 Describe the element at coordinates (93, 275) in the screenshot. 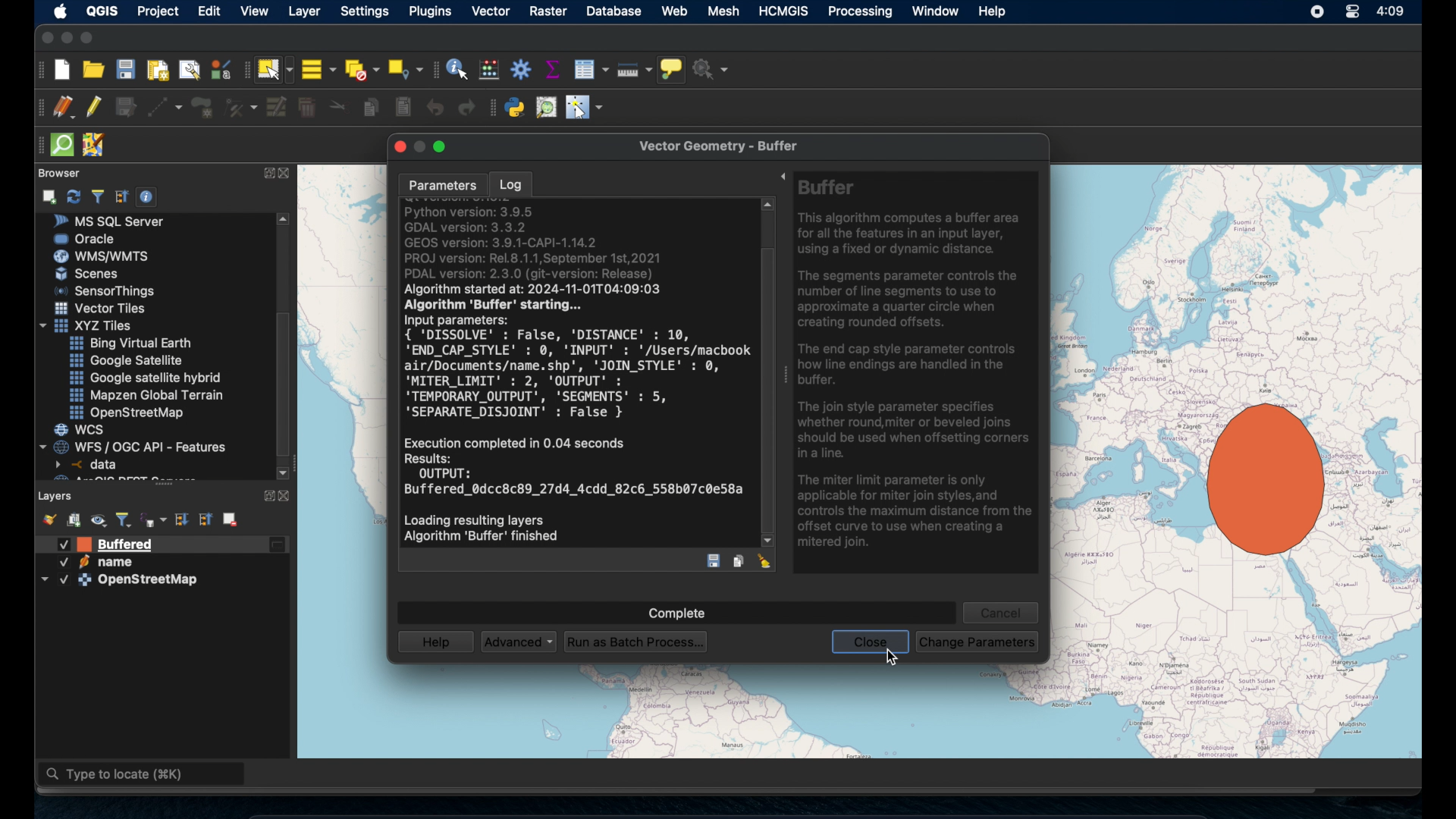

I see `scenes` at that location.